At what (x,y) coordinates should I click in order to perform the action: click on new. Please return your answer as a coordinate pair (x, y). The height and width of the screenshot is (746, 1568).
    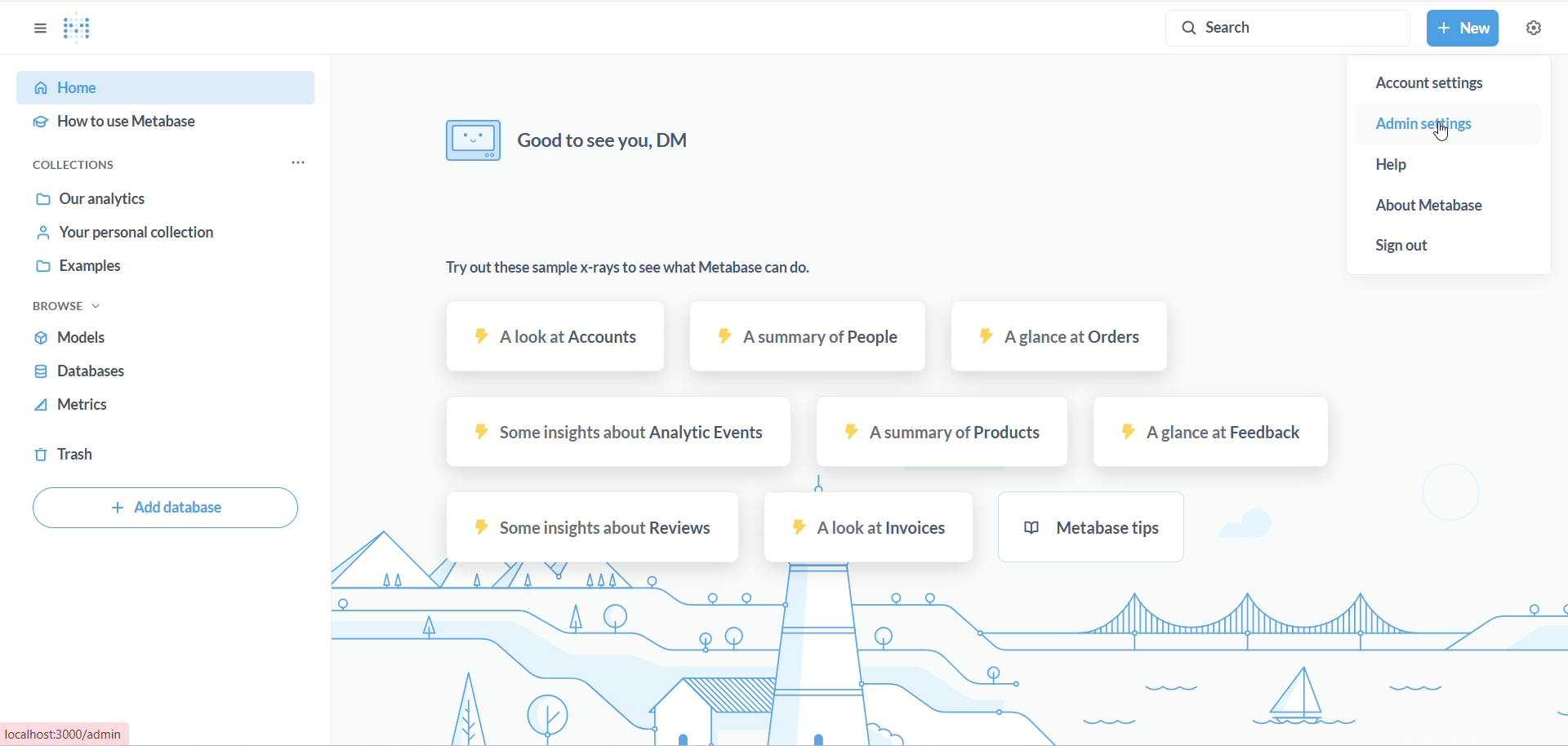
    Looking at the image, I should click on (1464, 27).